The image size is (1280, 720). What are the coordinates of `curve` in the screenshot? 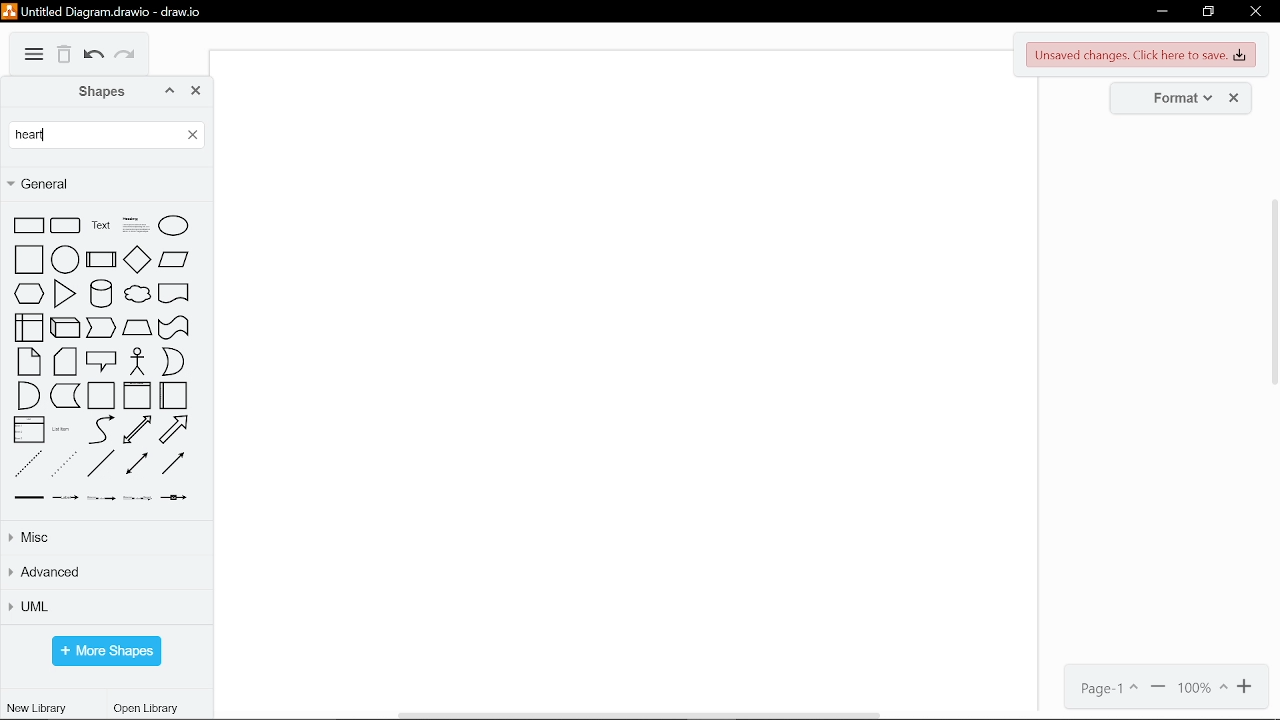 It's located at (99, 430).